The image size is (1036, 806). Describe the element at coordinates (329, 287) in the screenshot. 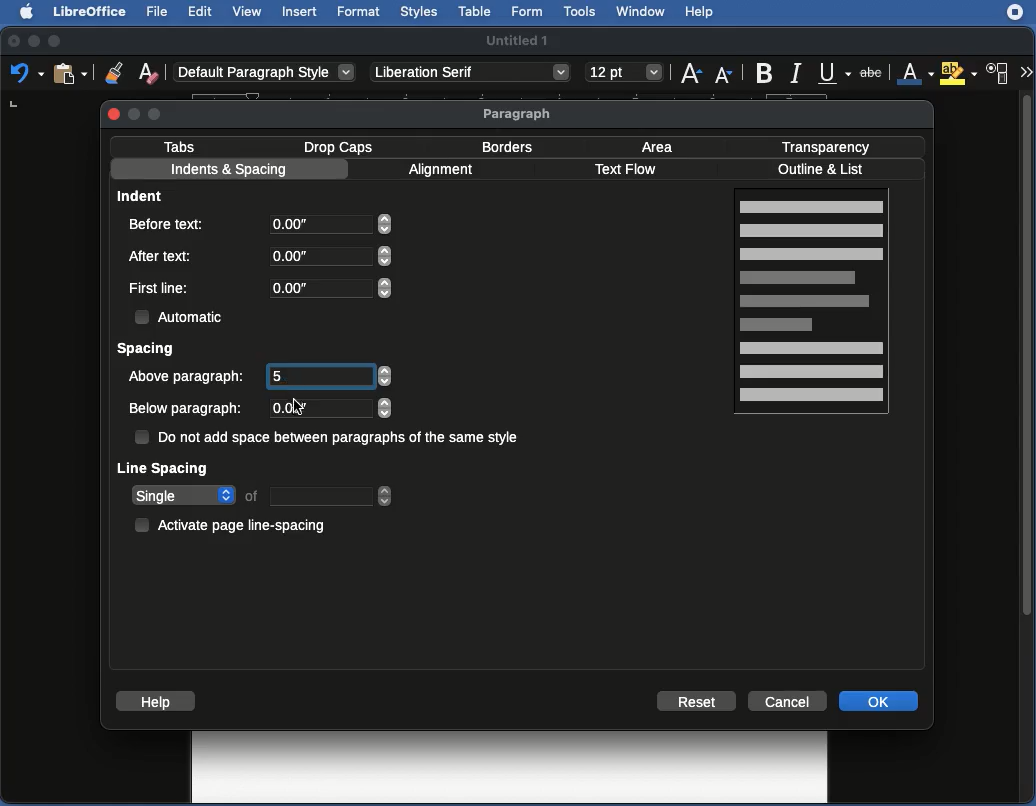

I see `0.00"` at that location.